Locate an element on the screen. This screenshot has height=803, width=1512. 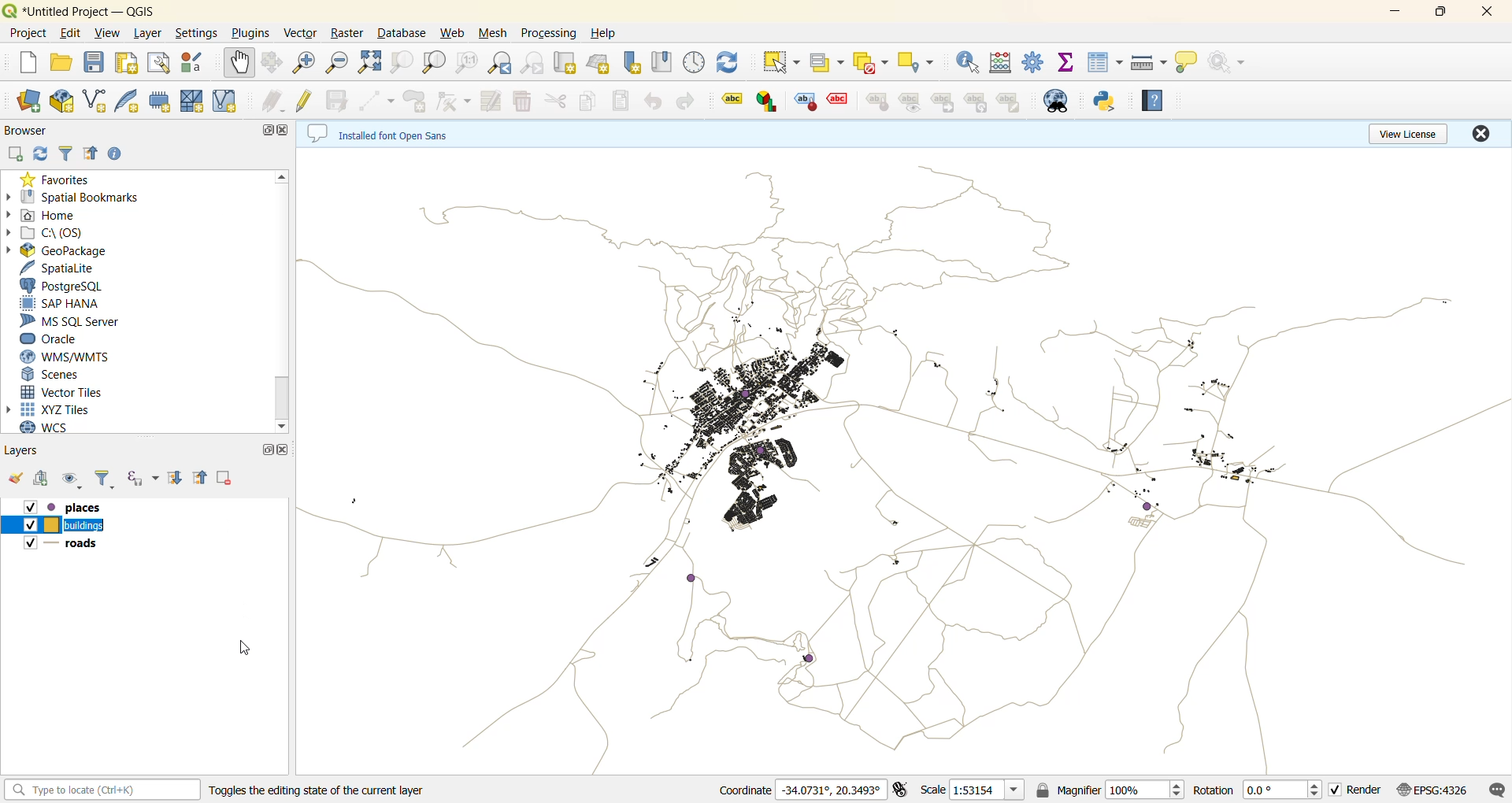
toggle extents is located at coordinates (900, 790).